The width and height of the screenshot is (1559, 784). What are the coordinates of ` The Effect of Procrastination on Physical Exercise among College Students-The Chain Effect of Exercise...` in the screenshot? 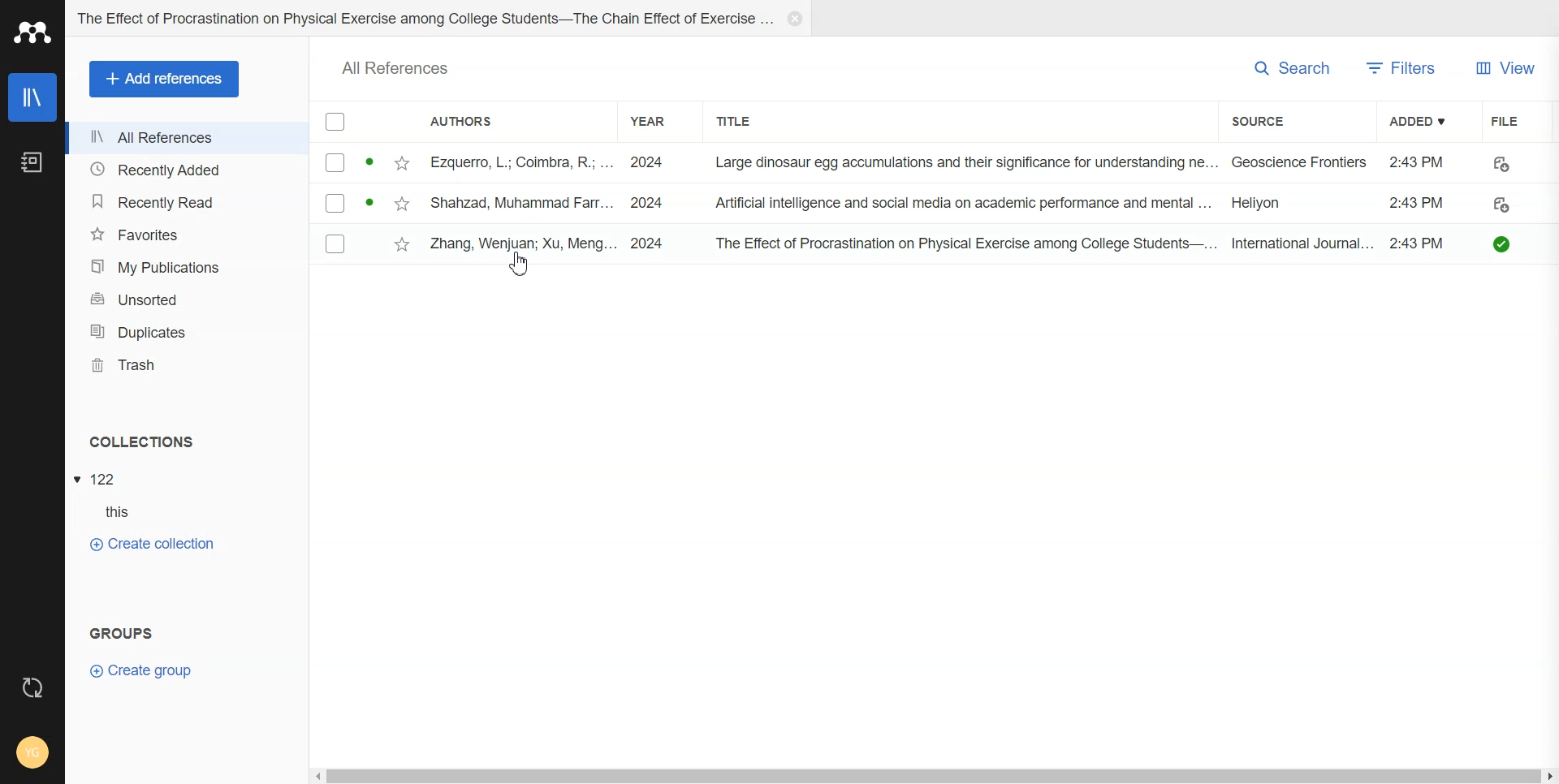 It's located at (424, 15).